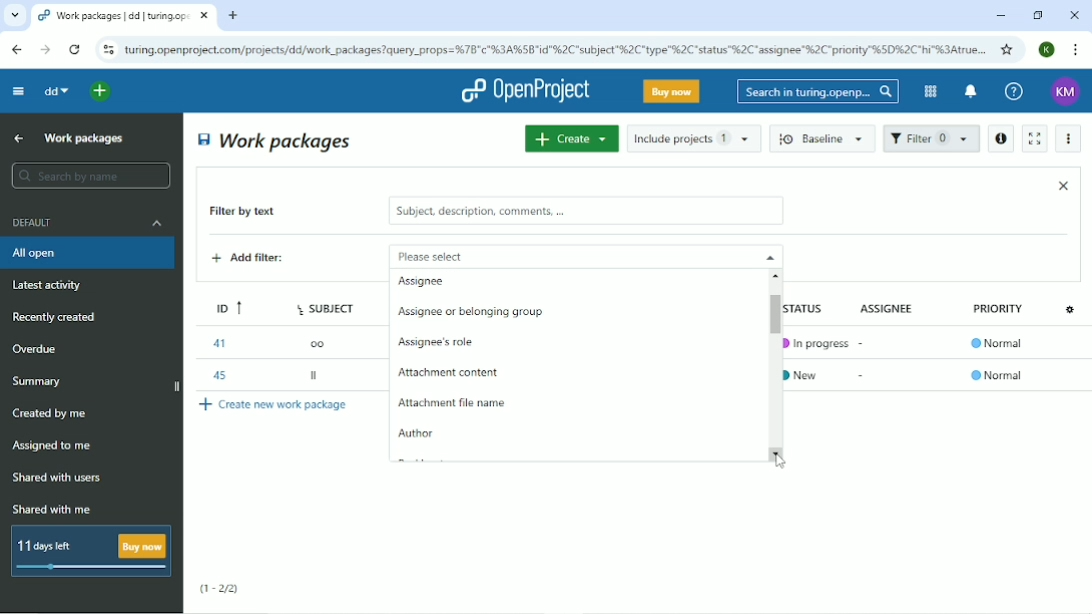 The width and height of the screenshot is (1092, 614). I want to click on Assignee or belonging group, so click(471, 313).